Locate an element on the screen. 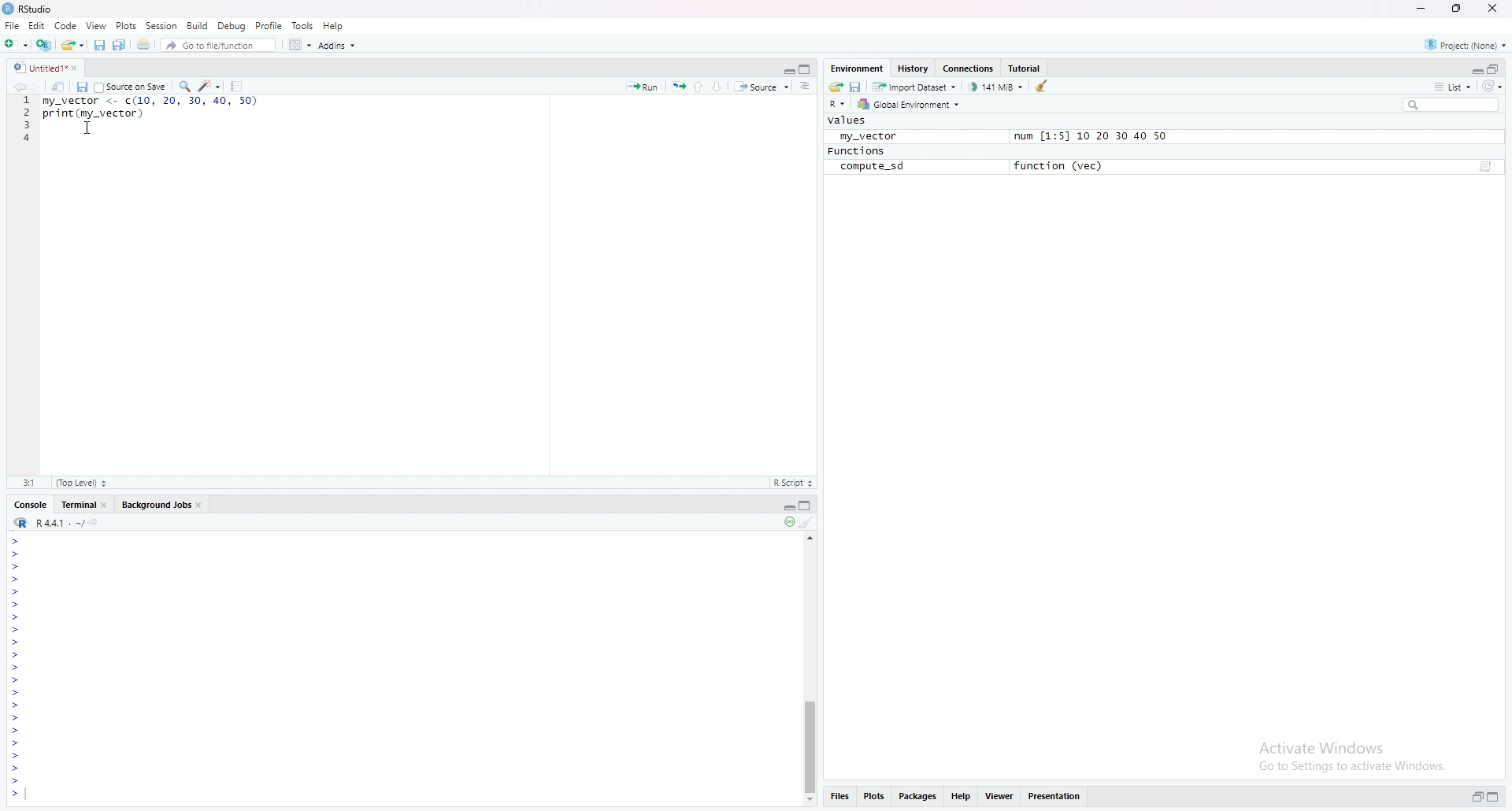  Maximize/Restore is located at coordinates (808, 506).